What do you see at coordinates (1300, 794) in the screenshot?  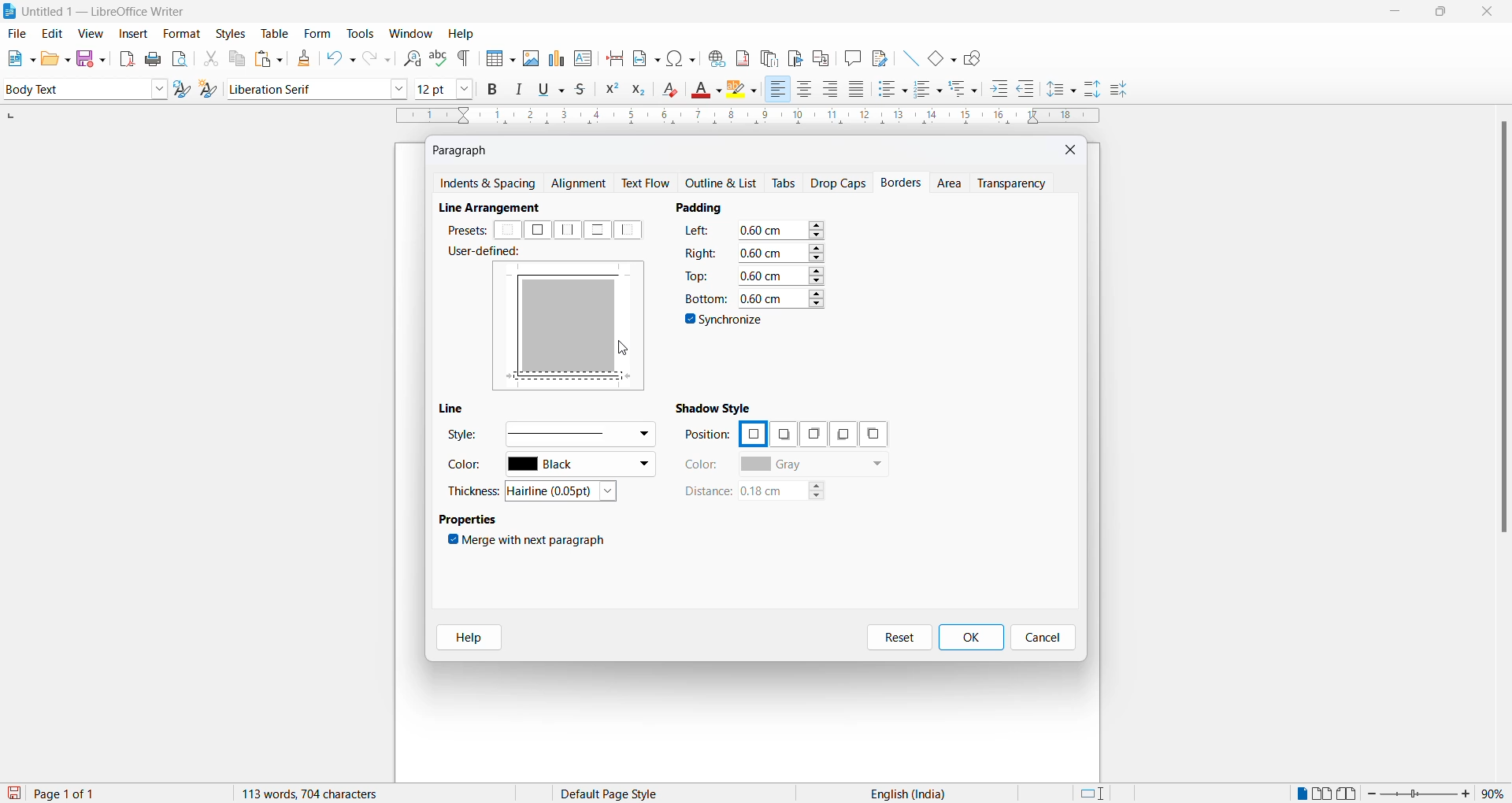 I see `single page view` at bounding box center [1300, 794].